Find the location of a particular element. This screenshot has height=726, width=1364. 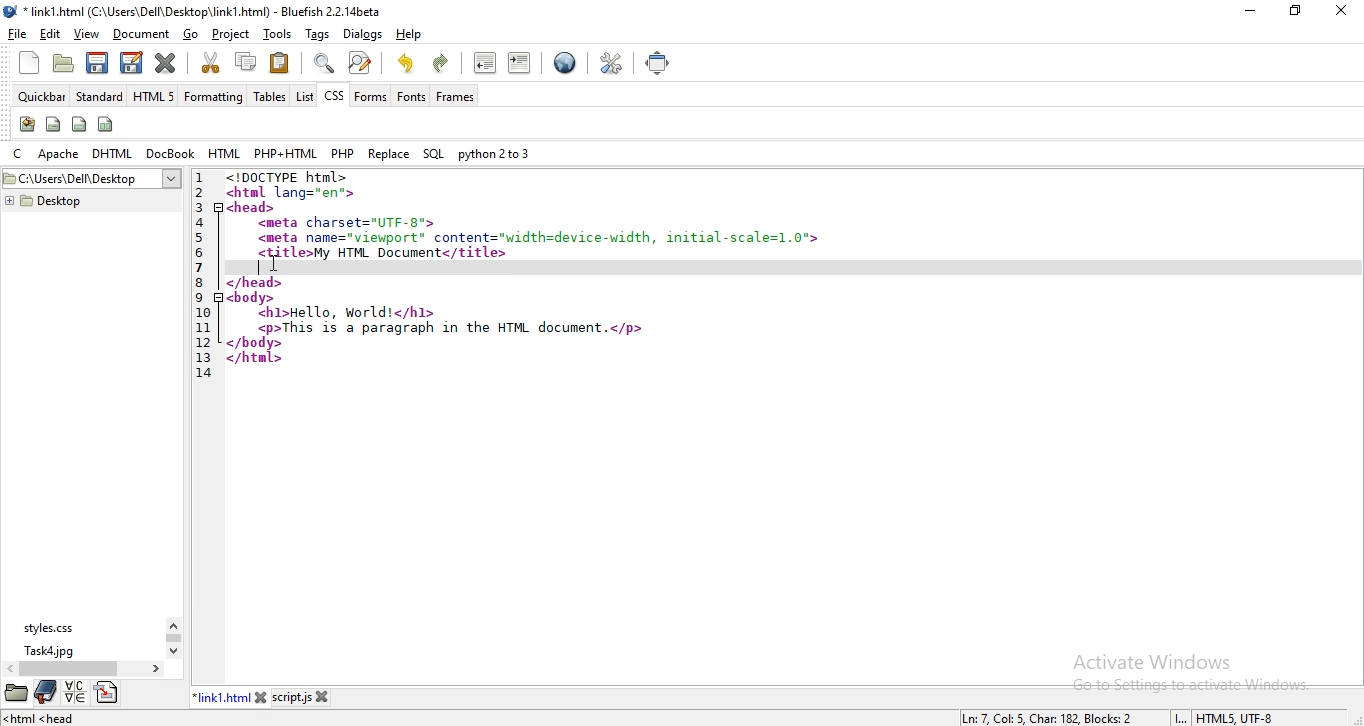

scroll bar is located at coordinates (173, 638).